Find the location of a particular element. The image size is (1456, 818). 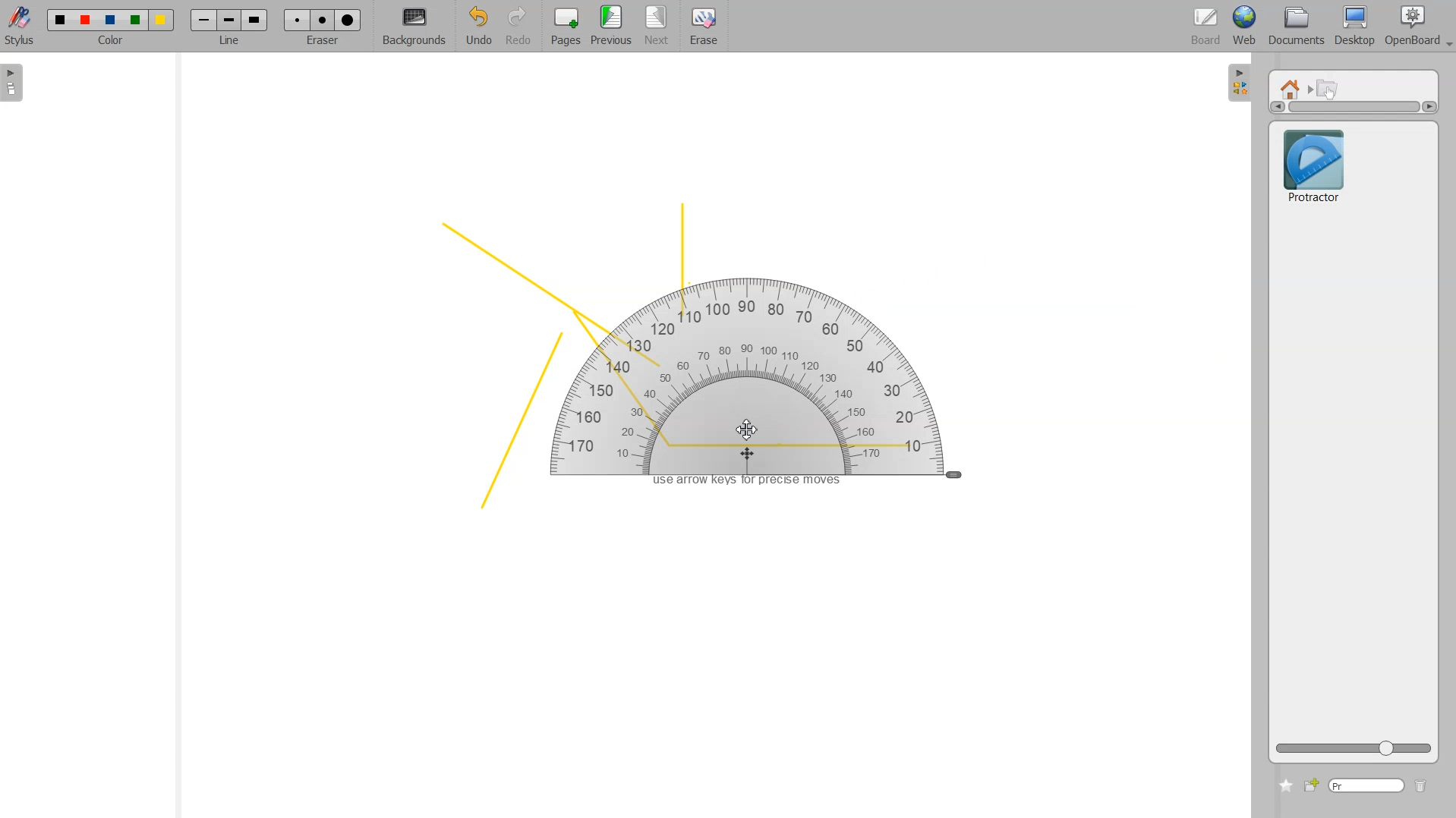

Sidebar is located at coordinates (17, 83).